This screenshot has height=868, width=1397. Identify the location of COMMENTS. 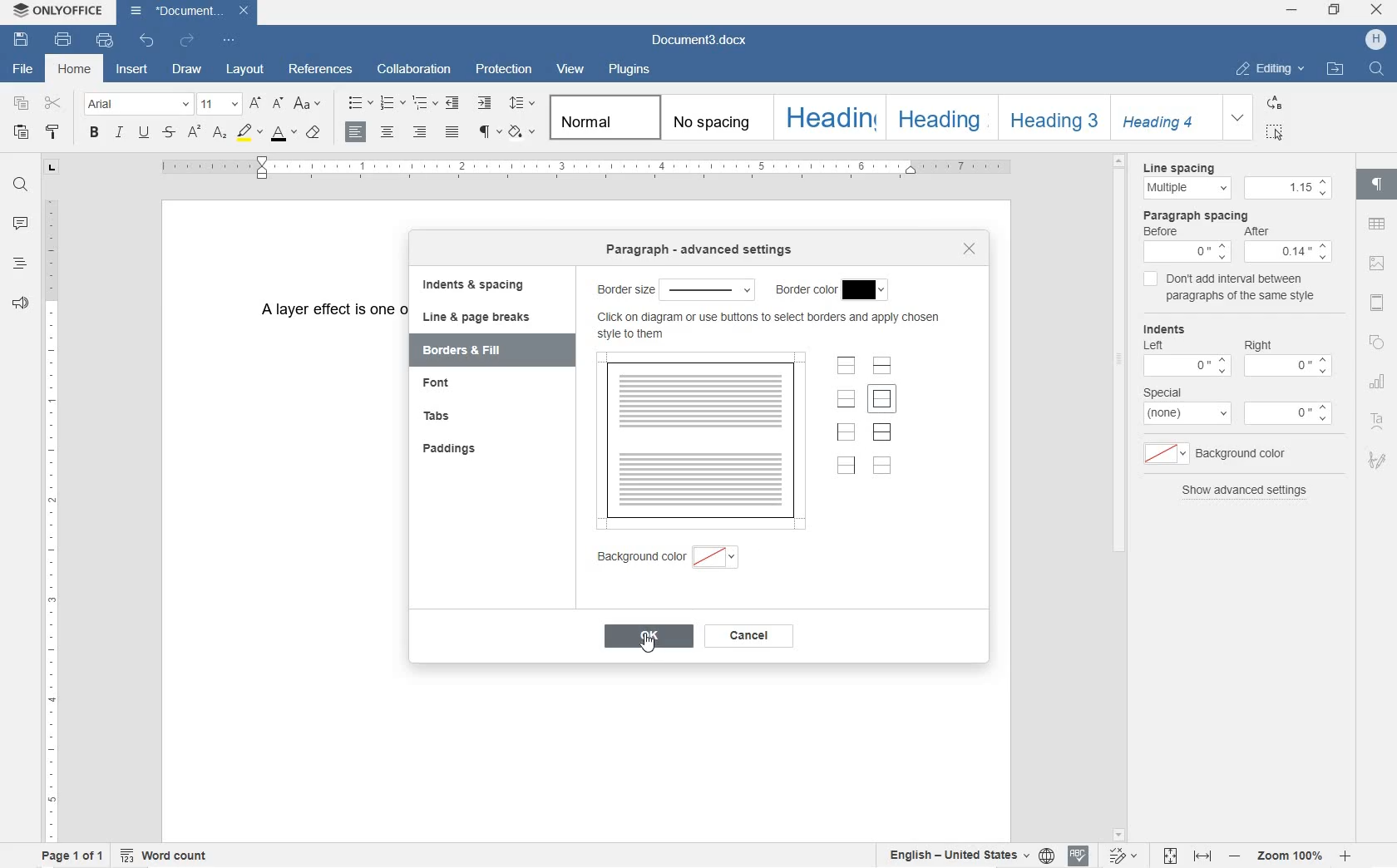
(18, 224).